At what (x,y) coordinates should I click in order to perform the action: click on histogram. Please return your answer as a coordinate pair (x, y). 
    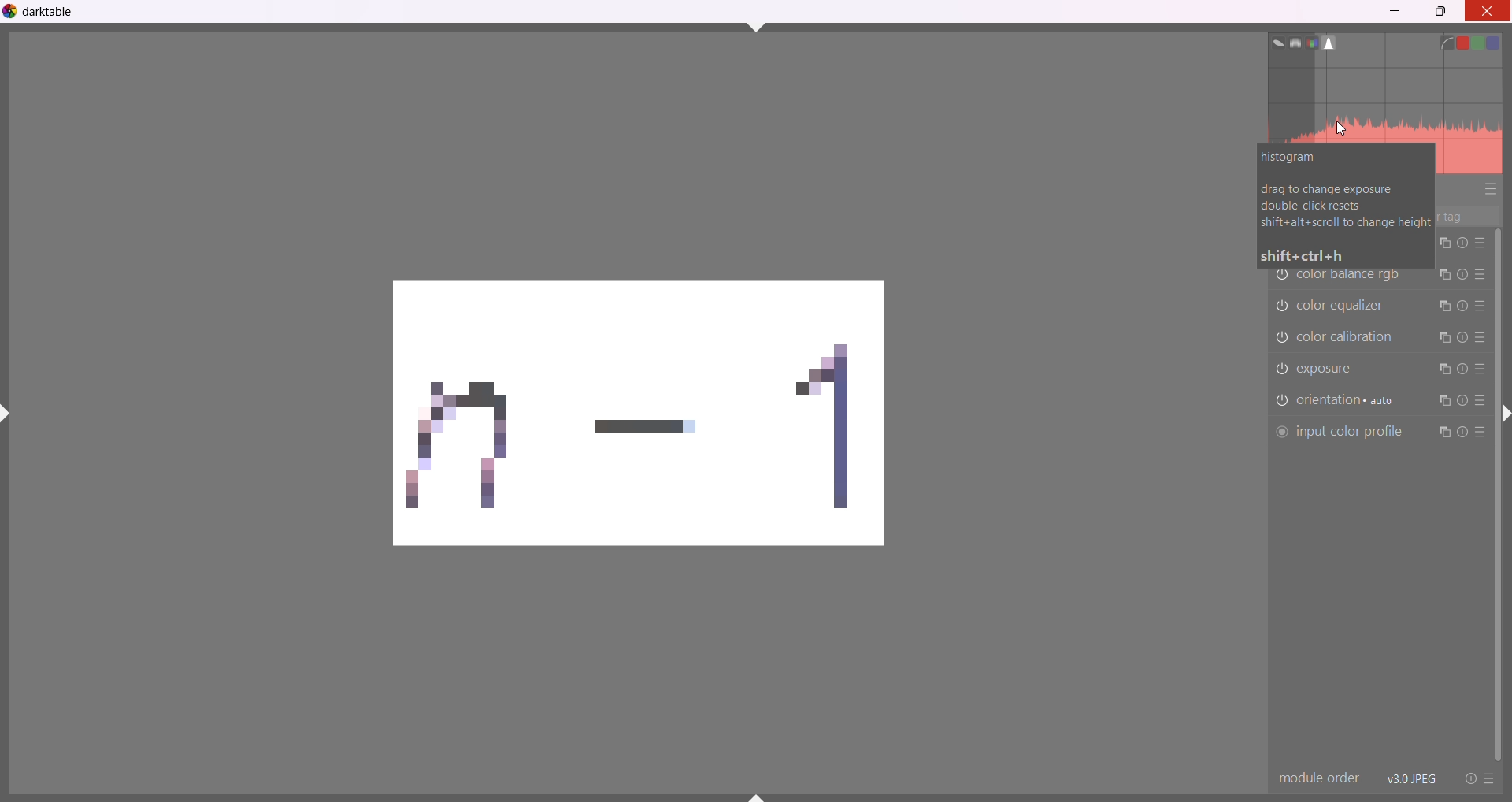
    Looking at the image, I should click on (1386, 104).